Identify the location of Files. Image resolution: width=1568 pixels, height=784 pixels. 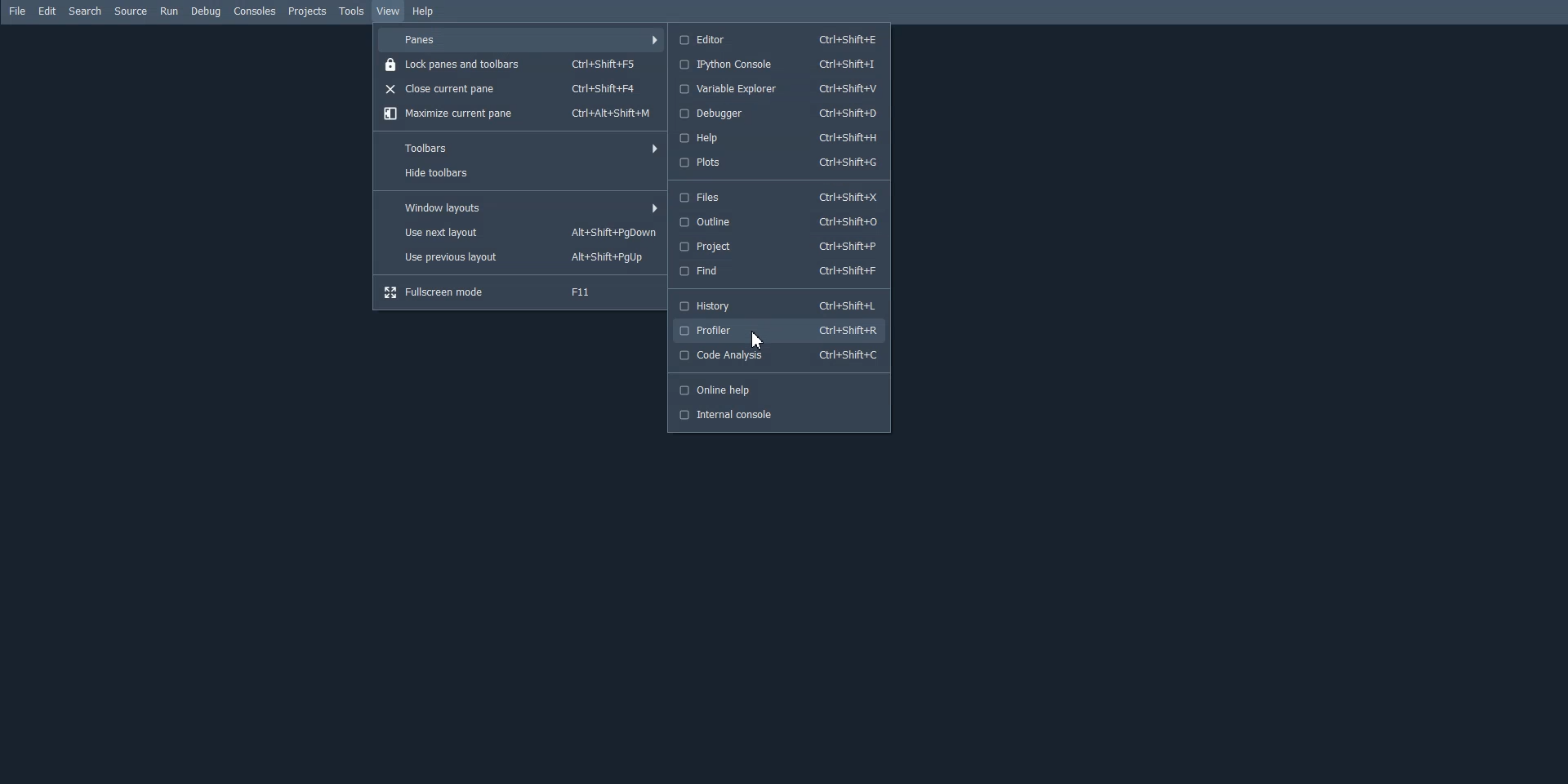
(777, 197).